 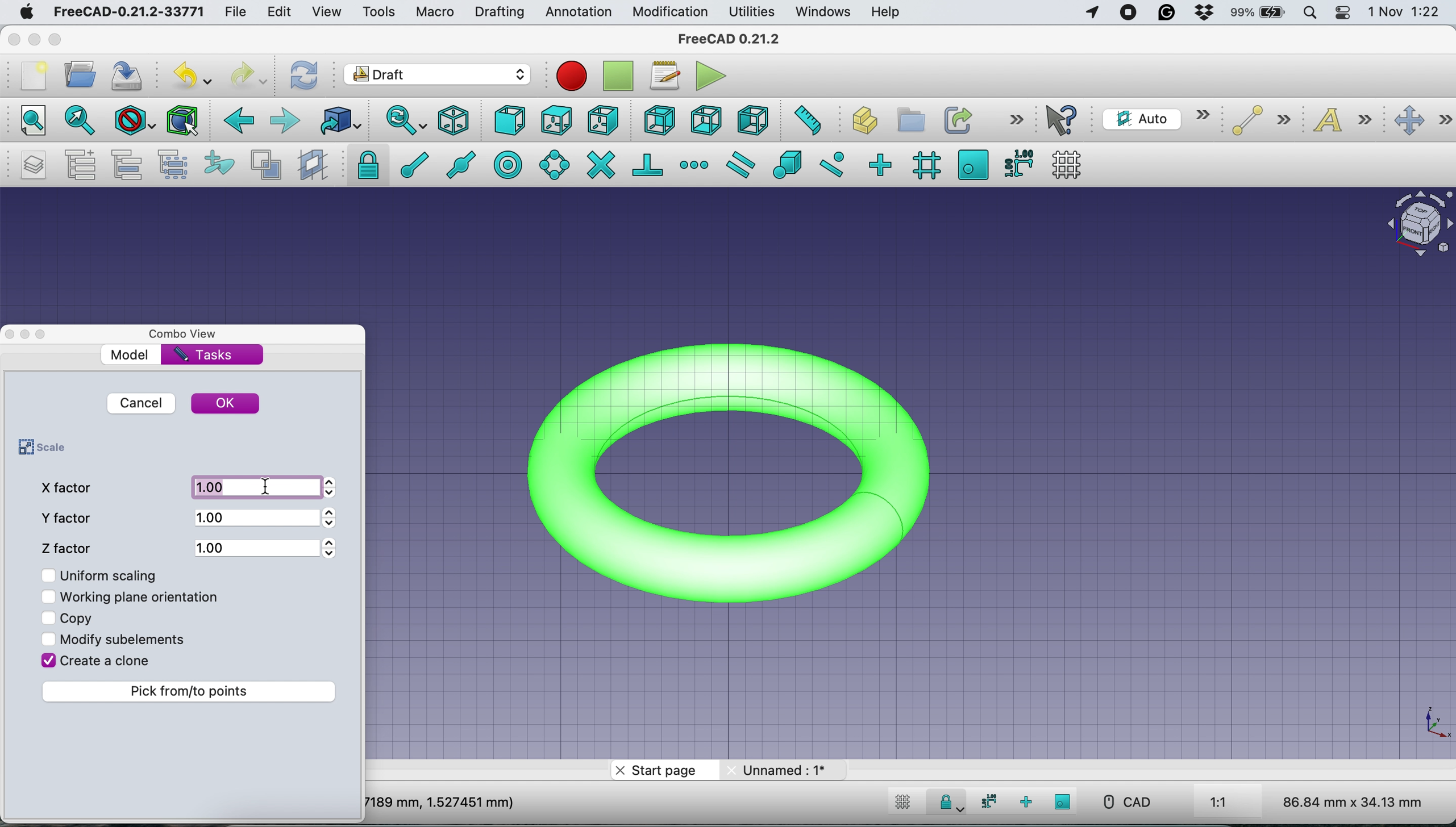 I want to click on 1.00, so click(x=254, y=486).